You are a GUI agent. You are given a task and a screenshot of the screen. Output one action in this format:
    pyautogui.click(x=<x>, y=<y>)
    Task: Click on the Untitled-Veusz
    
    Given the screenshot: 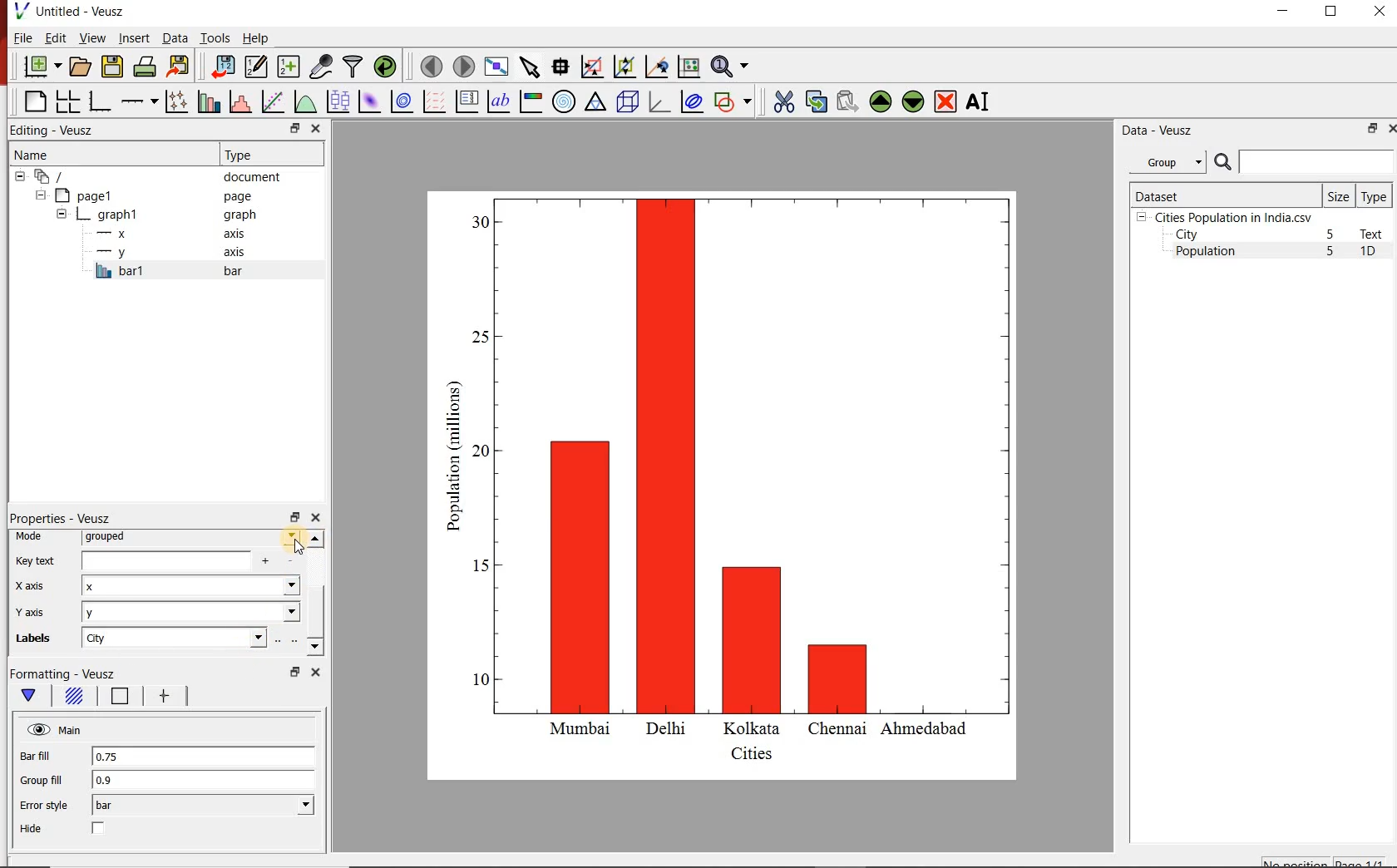 What is the action you would take?
    pyautogui.click(x=71, y=12)
    